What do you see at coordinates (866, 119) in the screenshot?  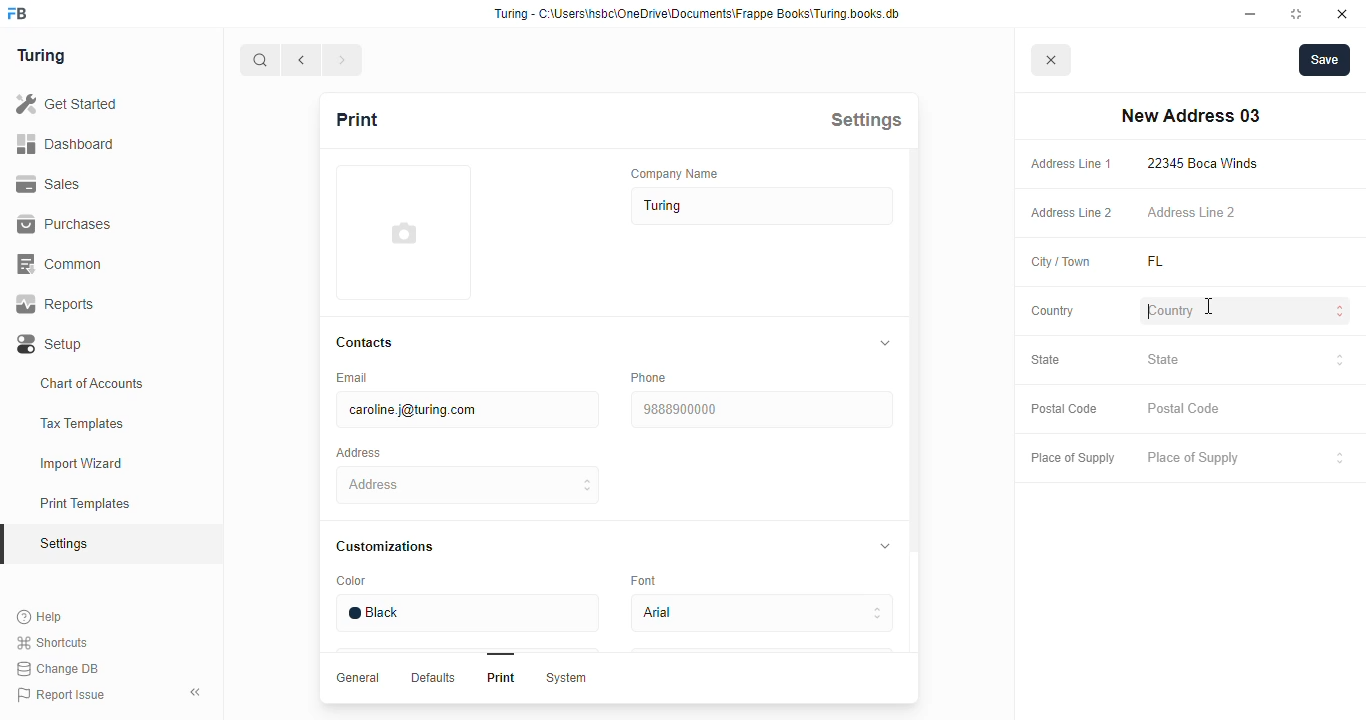 I see `settings` at bounding box center [866, 119].